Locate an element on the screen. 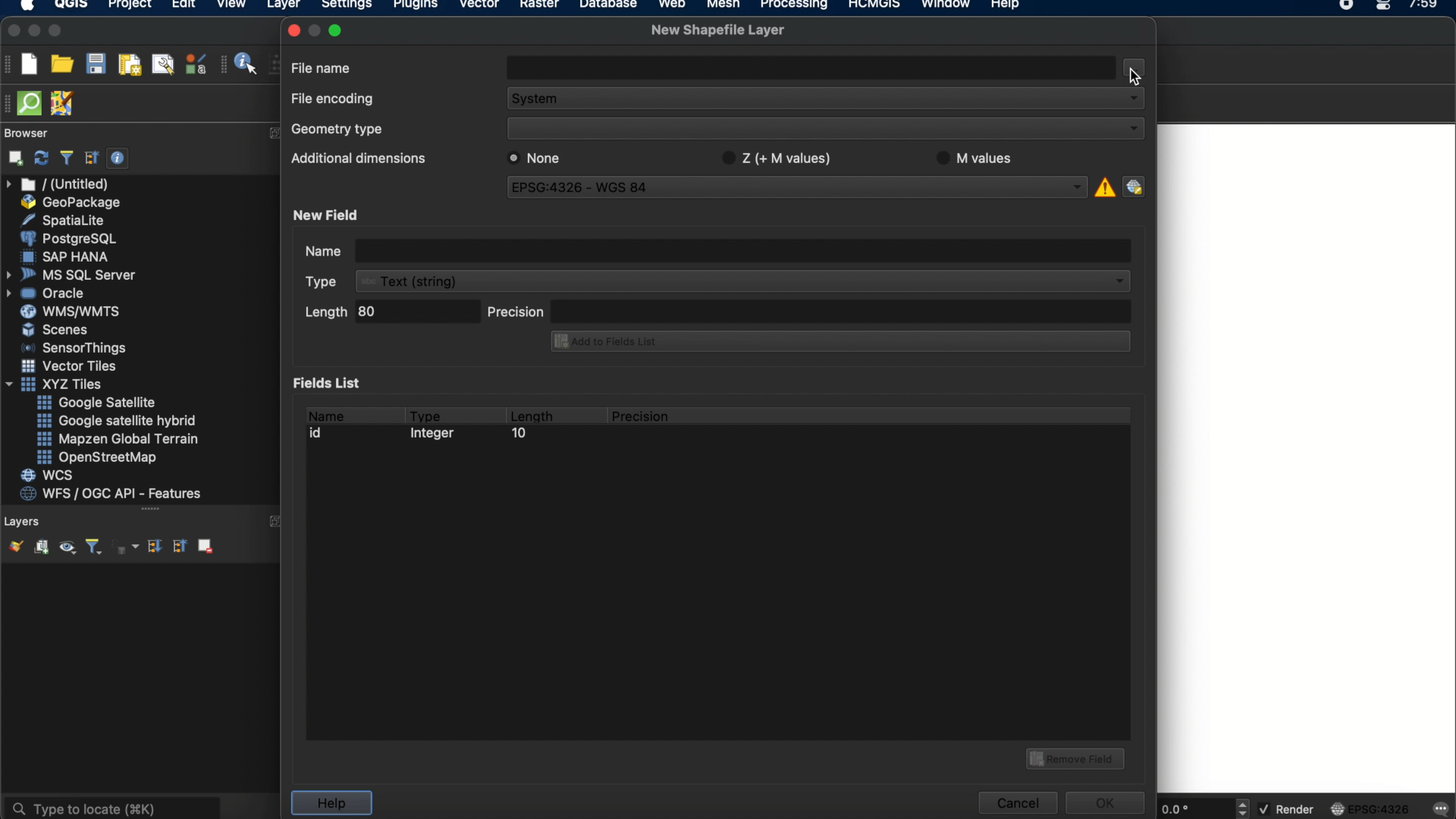  filter browser is located at coordinates (66, 158).